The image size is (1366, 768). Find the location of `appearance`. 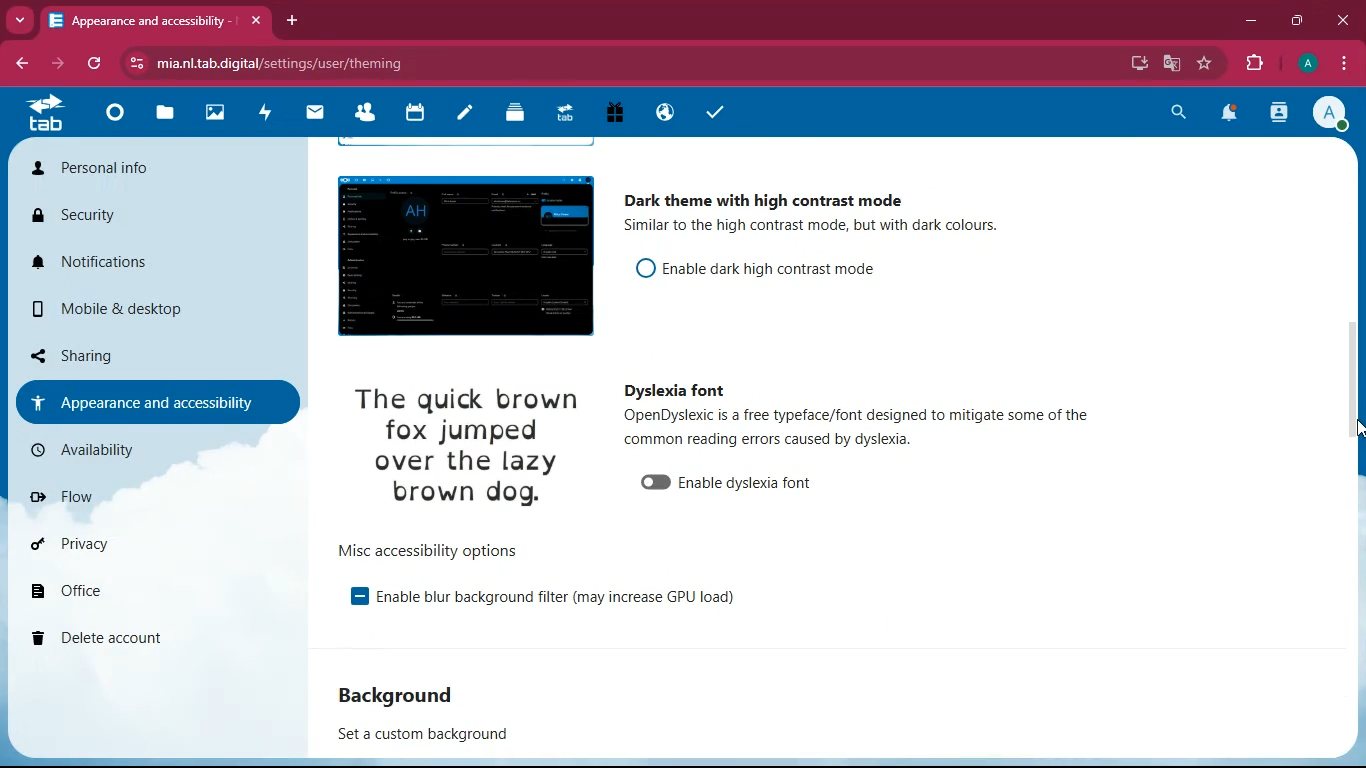

appearance is located at coordinates (160, 401).